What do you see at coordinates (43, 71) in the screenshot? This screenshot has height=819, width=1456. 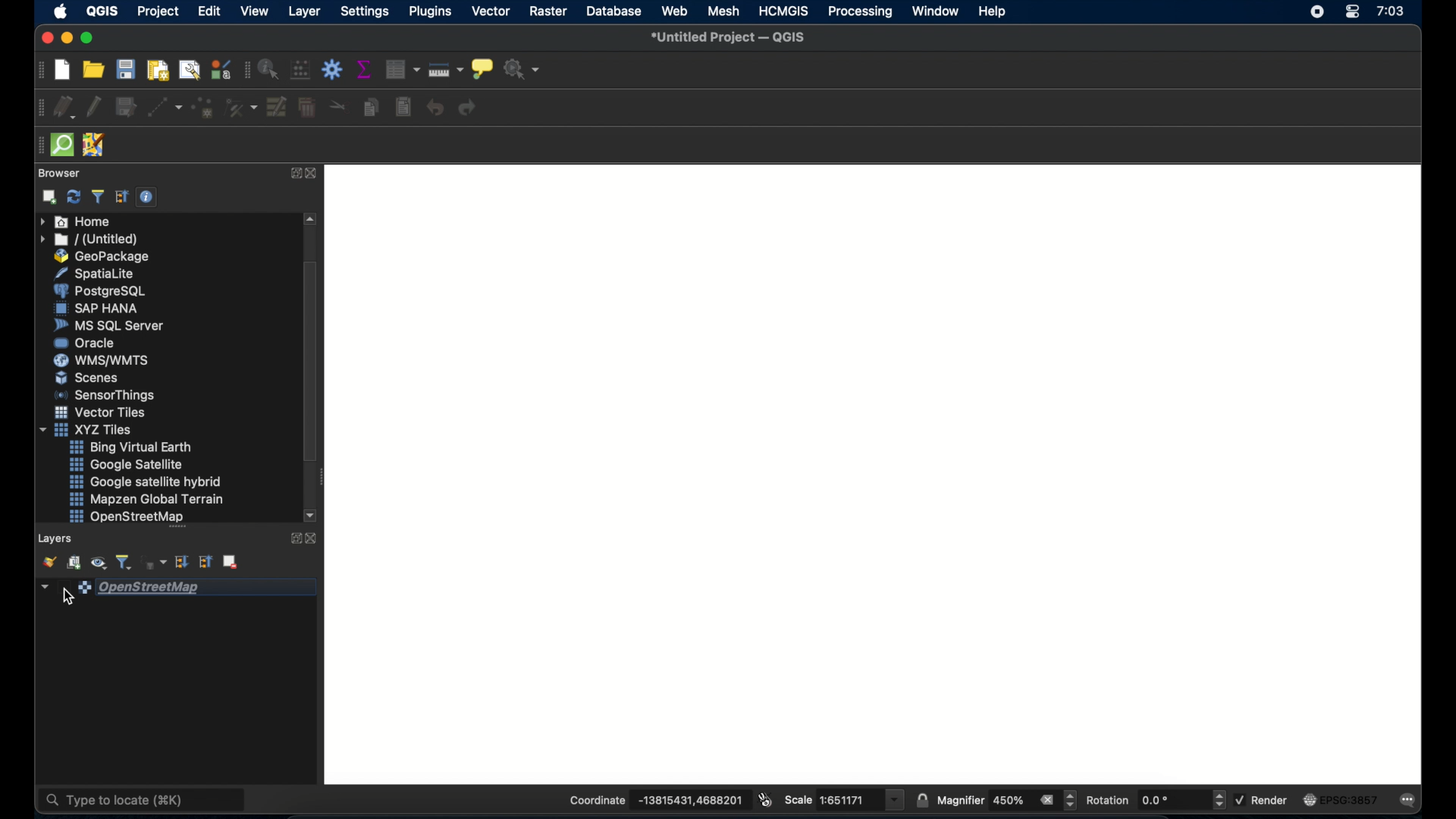 I see `project toolbar` at bounding box center [43, 71].